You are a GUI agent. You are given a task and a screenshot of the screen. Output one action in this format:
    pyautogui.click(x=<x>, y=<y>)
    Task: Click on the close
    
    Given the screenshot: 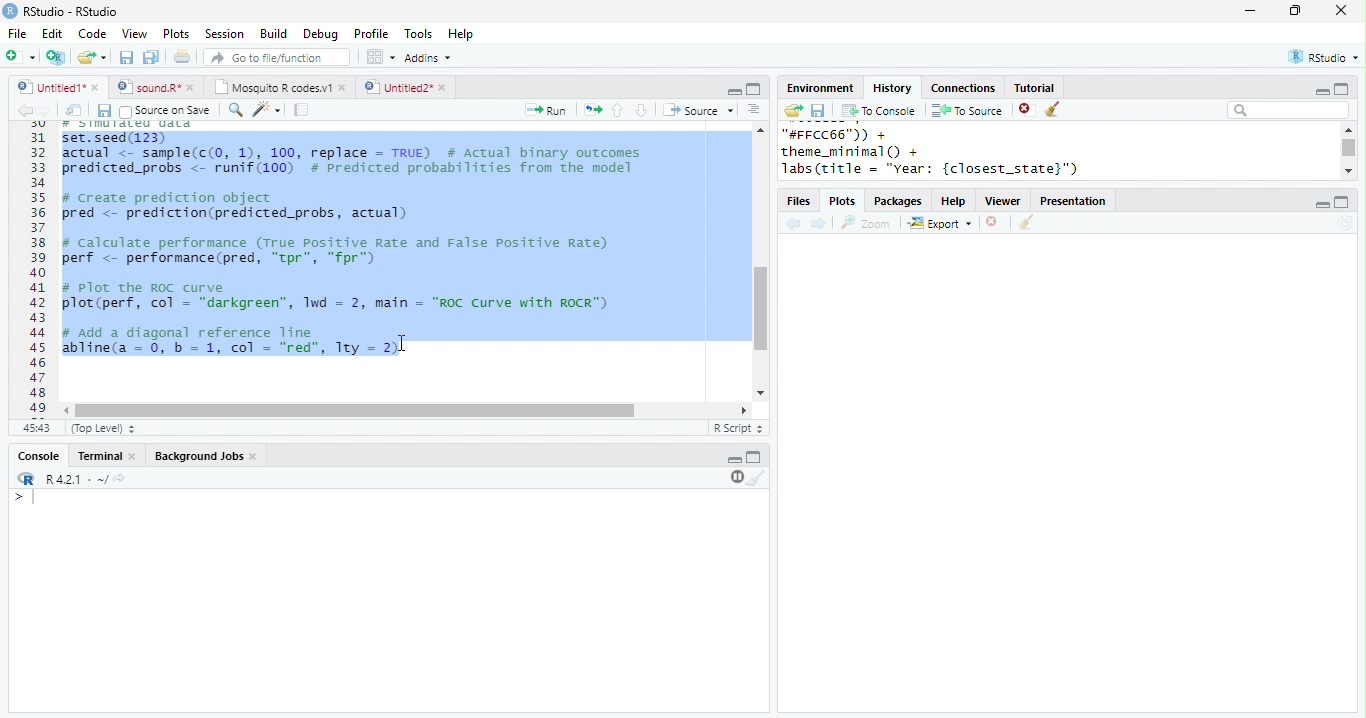 What is the action you would take?
    pyautogui.click(x=1342, y=10)
    